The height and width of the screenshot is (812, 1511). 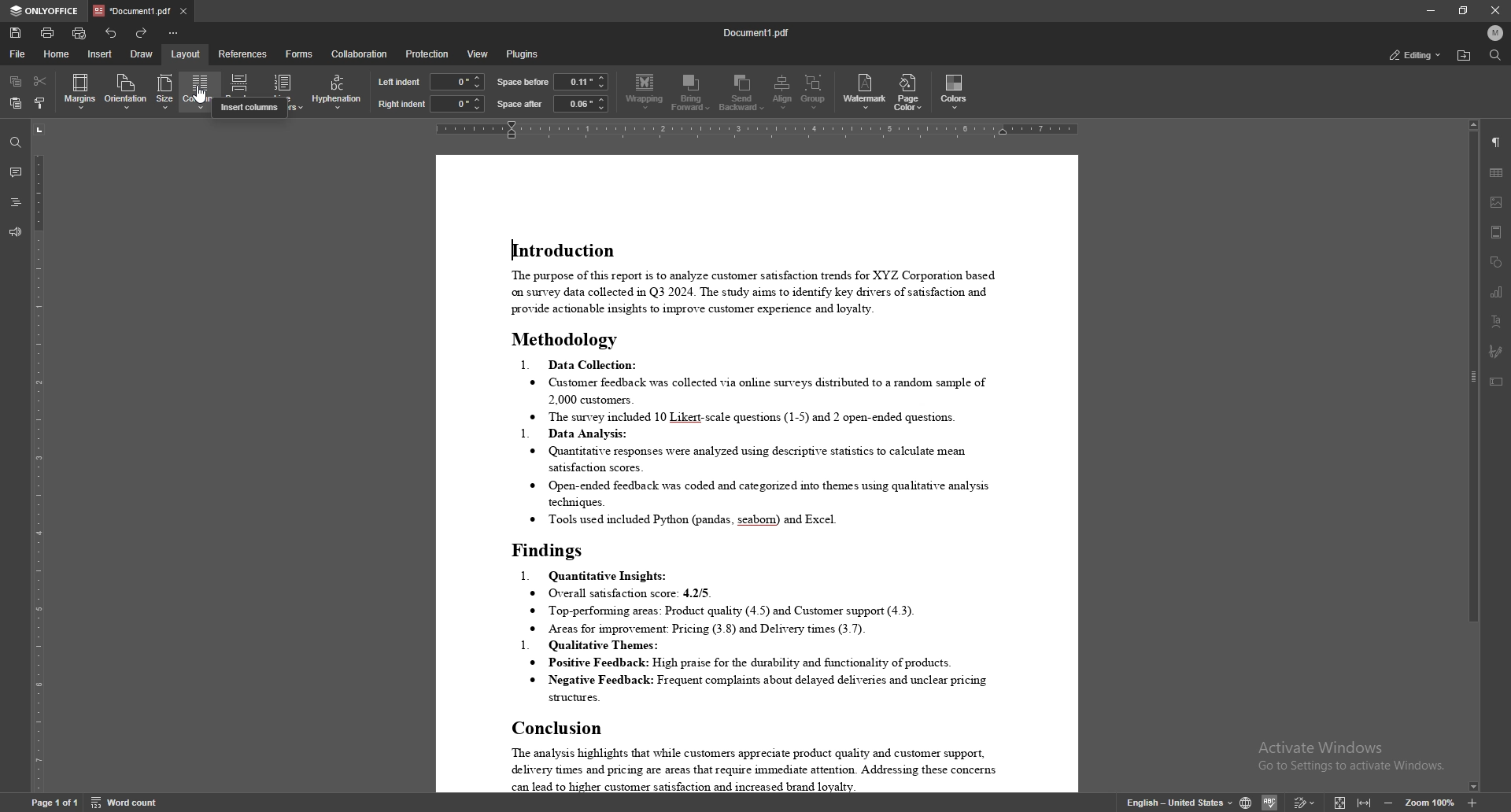 I want to click on page, so click(x=54, y=803).